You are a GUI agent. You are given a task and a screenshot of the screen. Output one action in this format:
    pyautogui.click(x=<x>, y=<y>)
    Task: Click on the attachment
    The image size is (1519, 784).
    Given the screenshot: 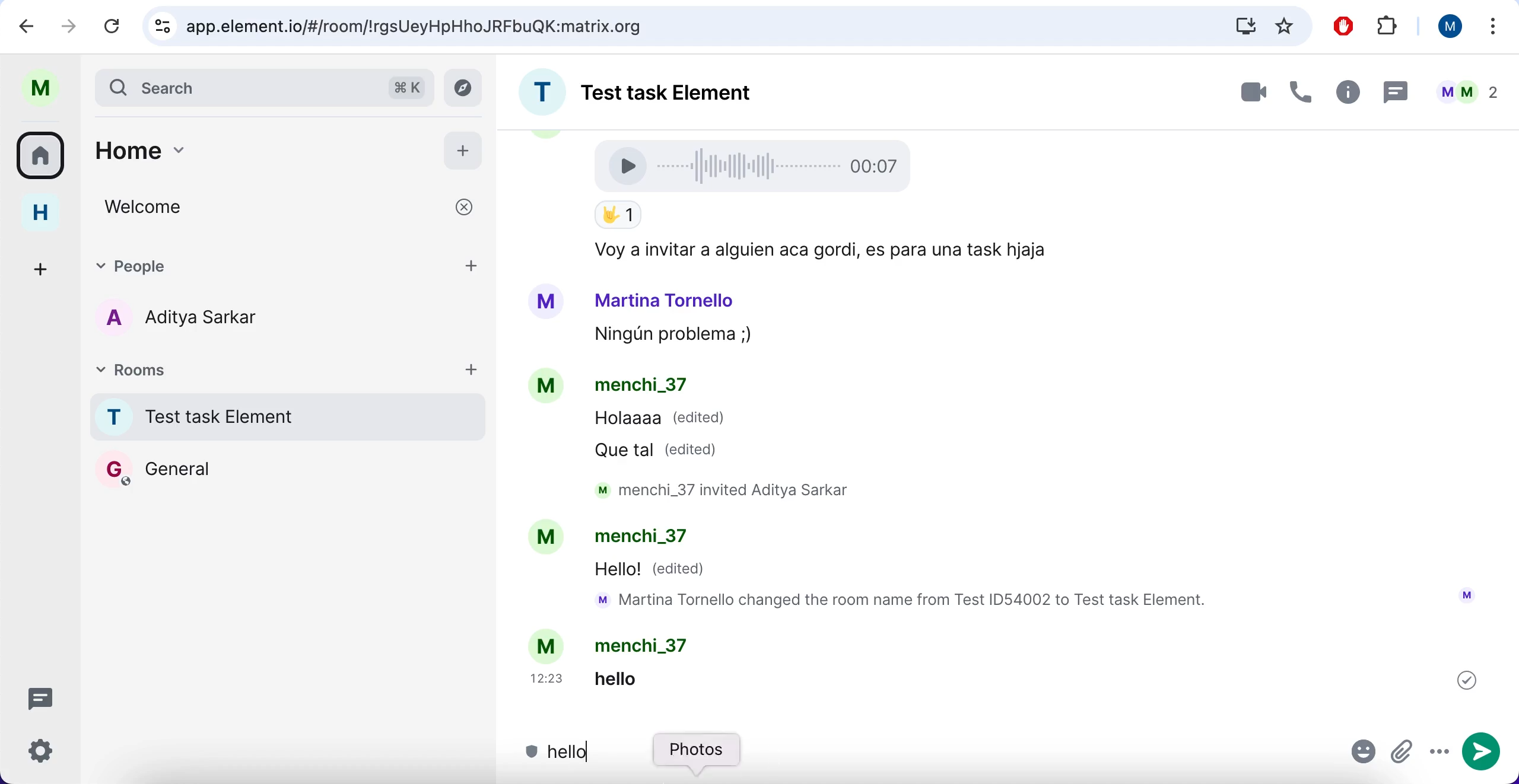 What is the action you would take?
    pyautogui.click(x=1403, y=753)
    